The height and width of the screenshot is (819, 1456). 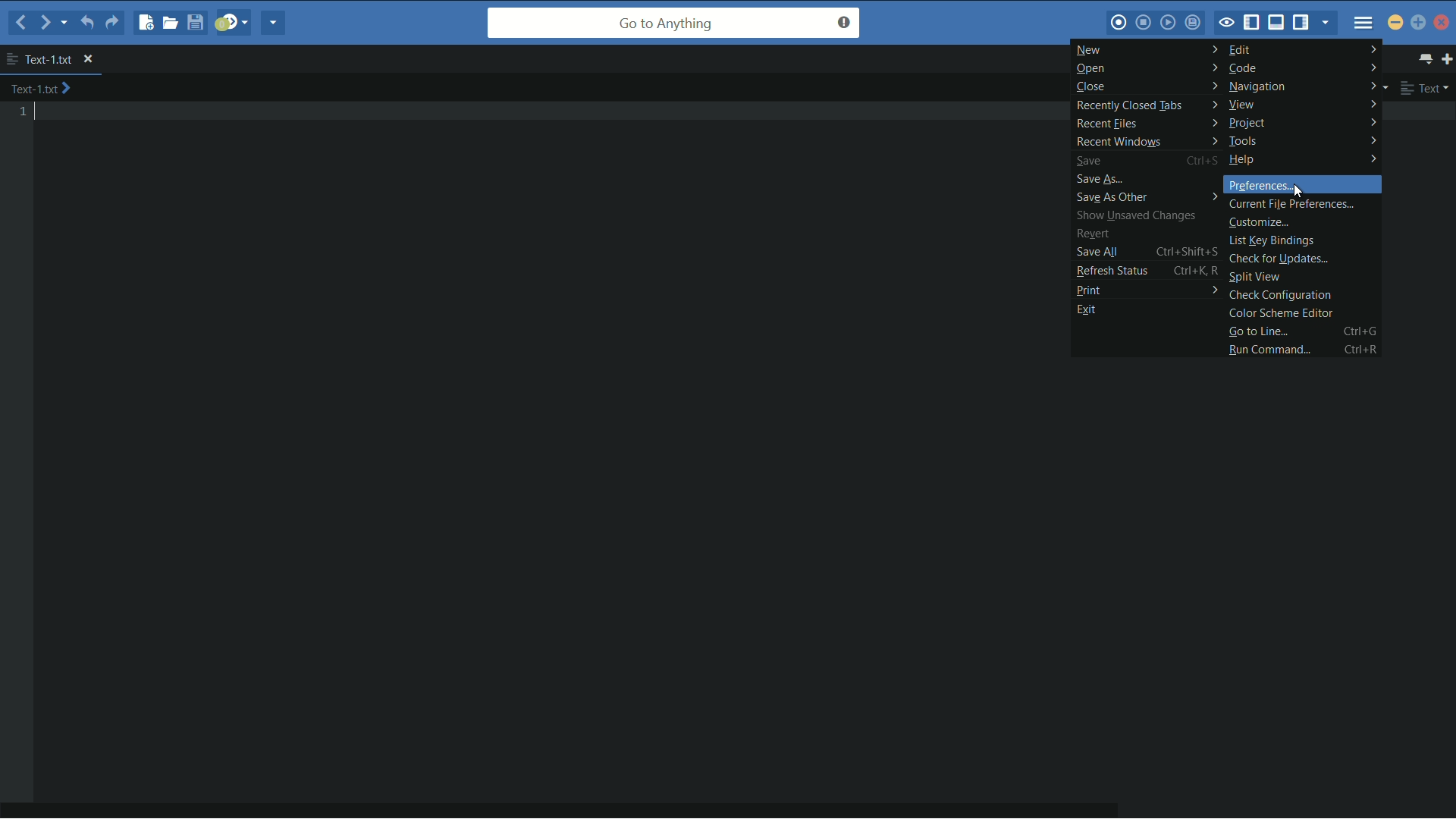 What do you see at coordinates (1197, 272) in the screenshot?
I see `ctrl+K, R` at bounding box center [1197, 272].